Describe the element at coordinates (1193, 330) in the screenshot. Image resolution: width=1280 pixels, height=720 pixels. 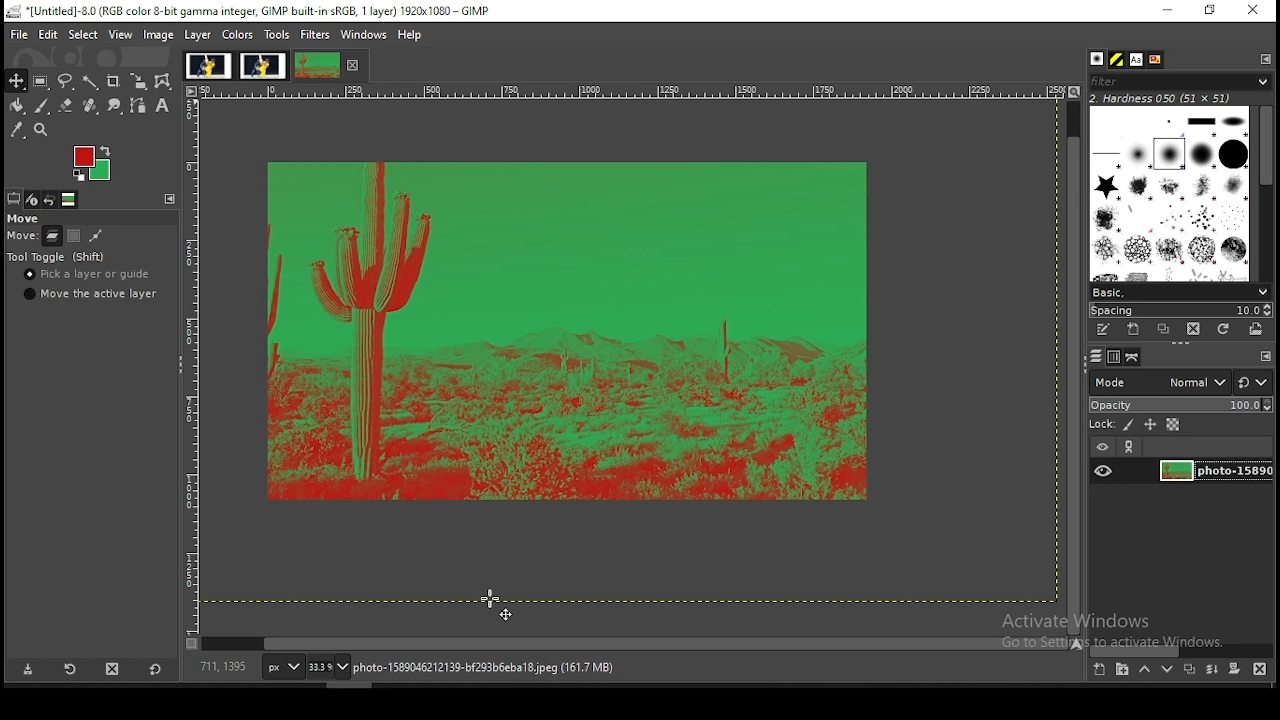
I see `delete brush` at that location.